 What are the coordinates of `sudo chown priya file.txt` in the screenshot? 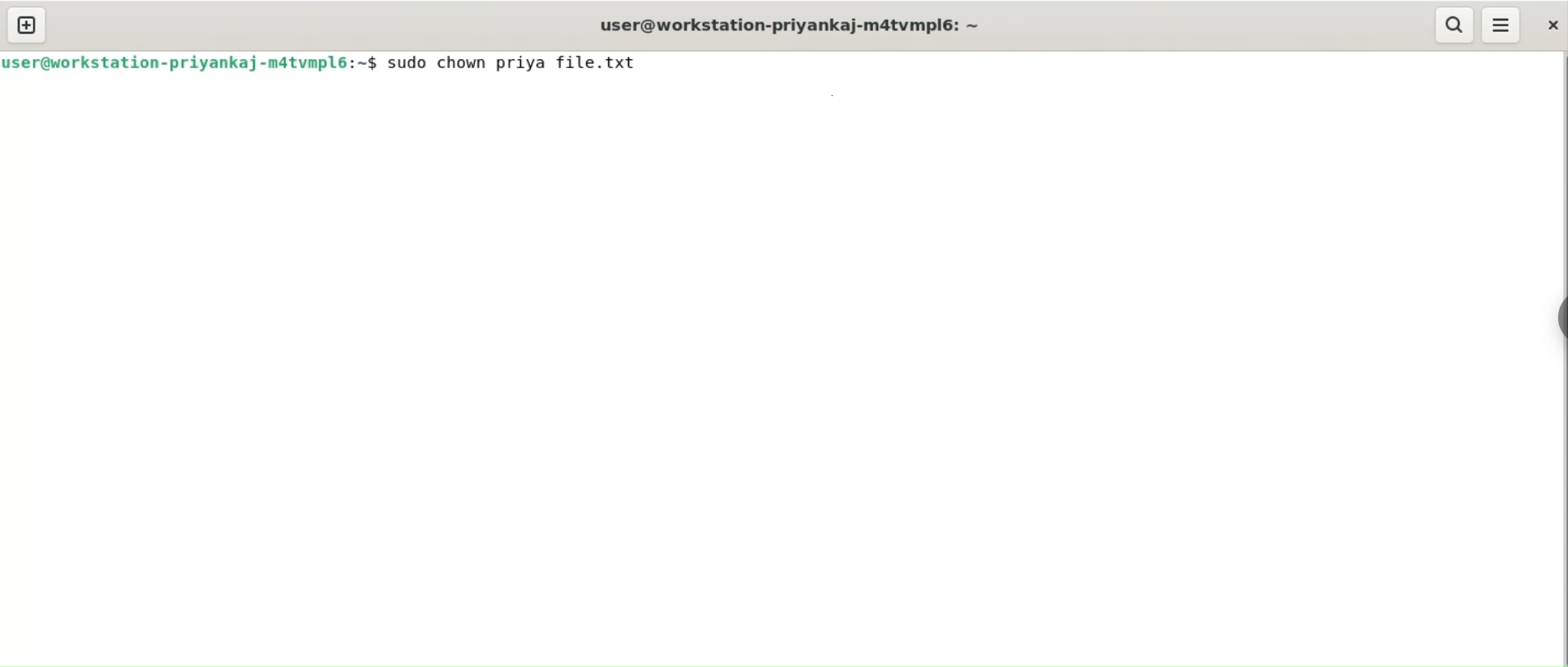 It's located at (519, 62).